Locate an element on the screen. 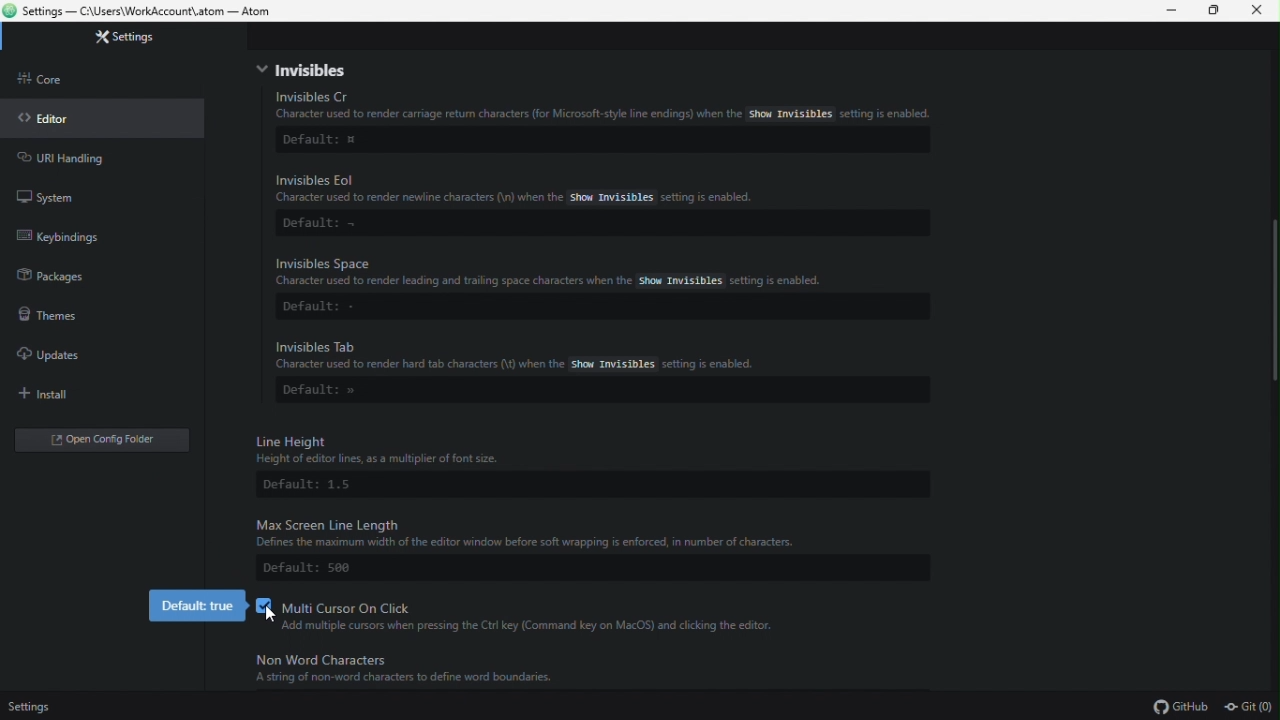 This screenshot has width=1280, height=720. Default: » is located at coordinates (327, 393).